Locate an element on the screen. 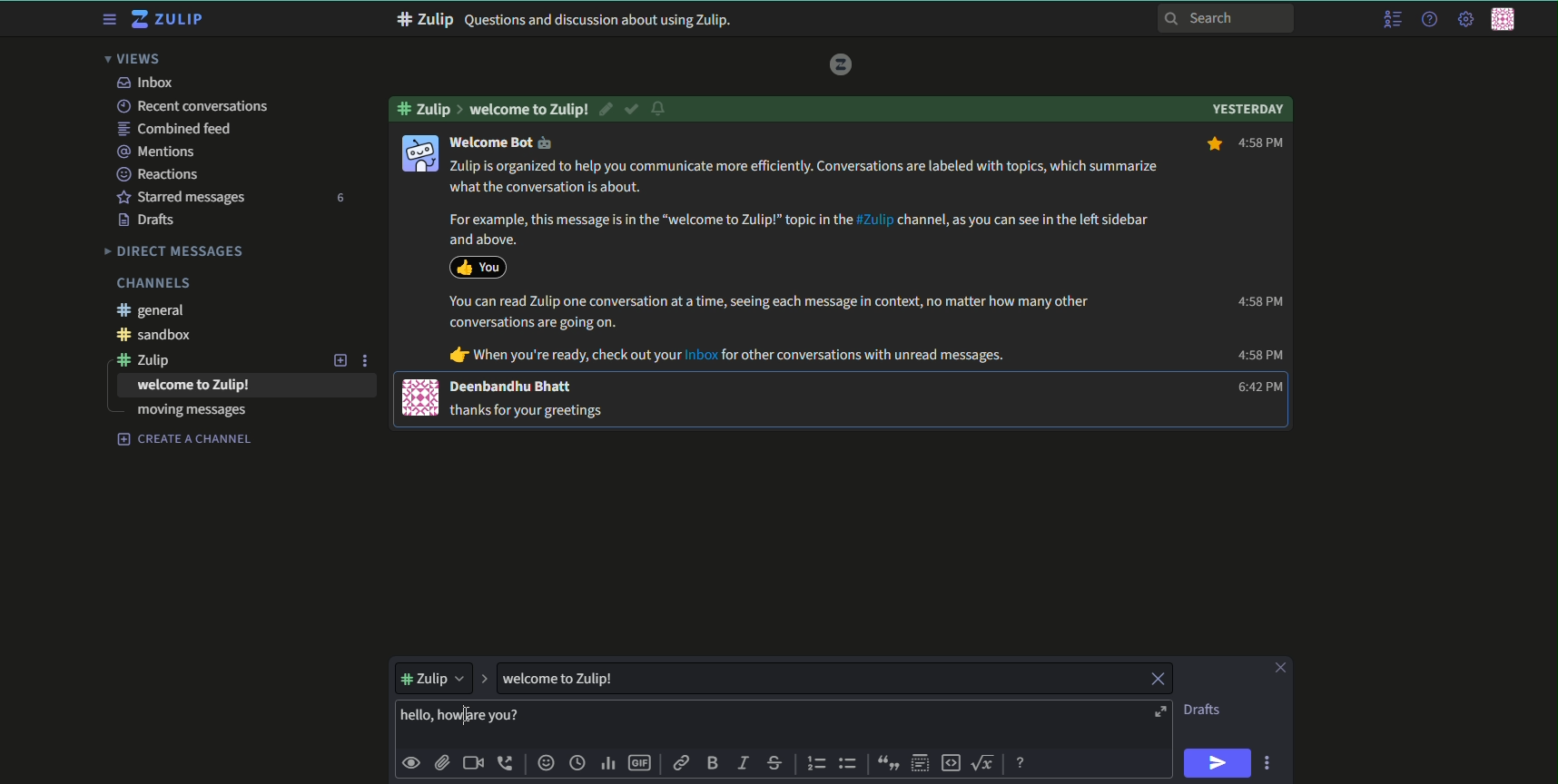  math is located at coordinates (986, 761).